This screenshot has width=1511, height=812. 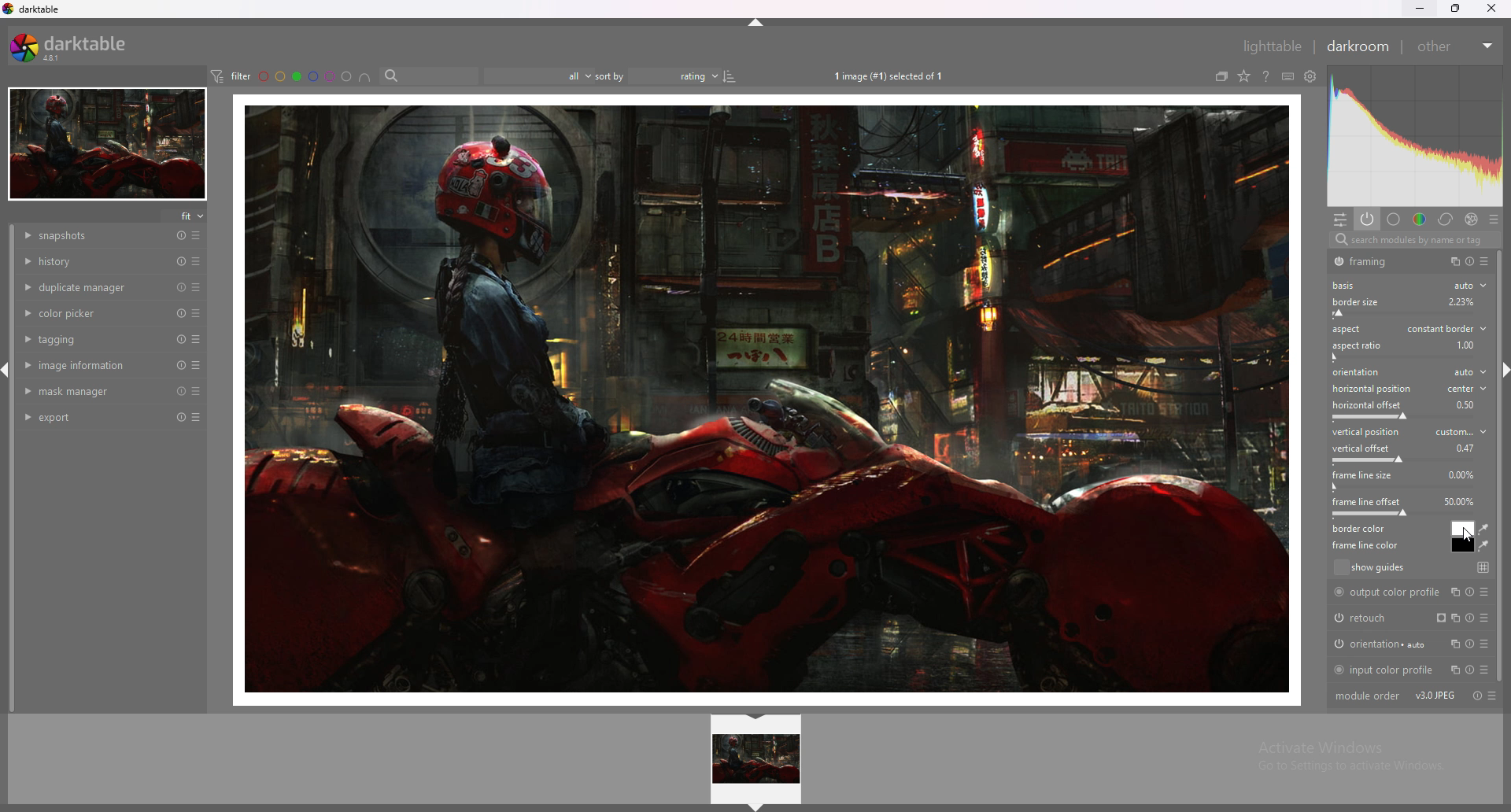 I want to click on rating, so click(x=684, y=76).